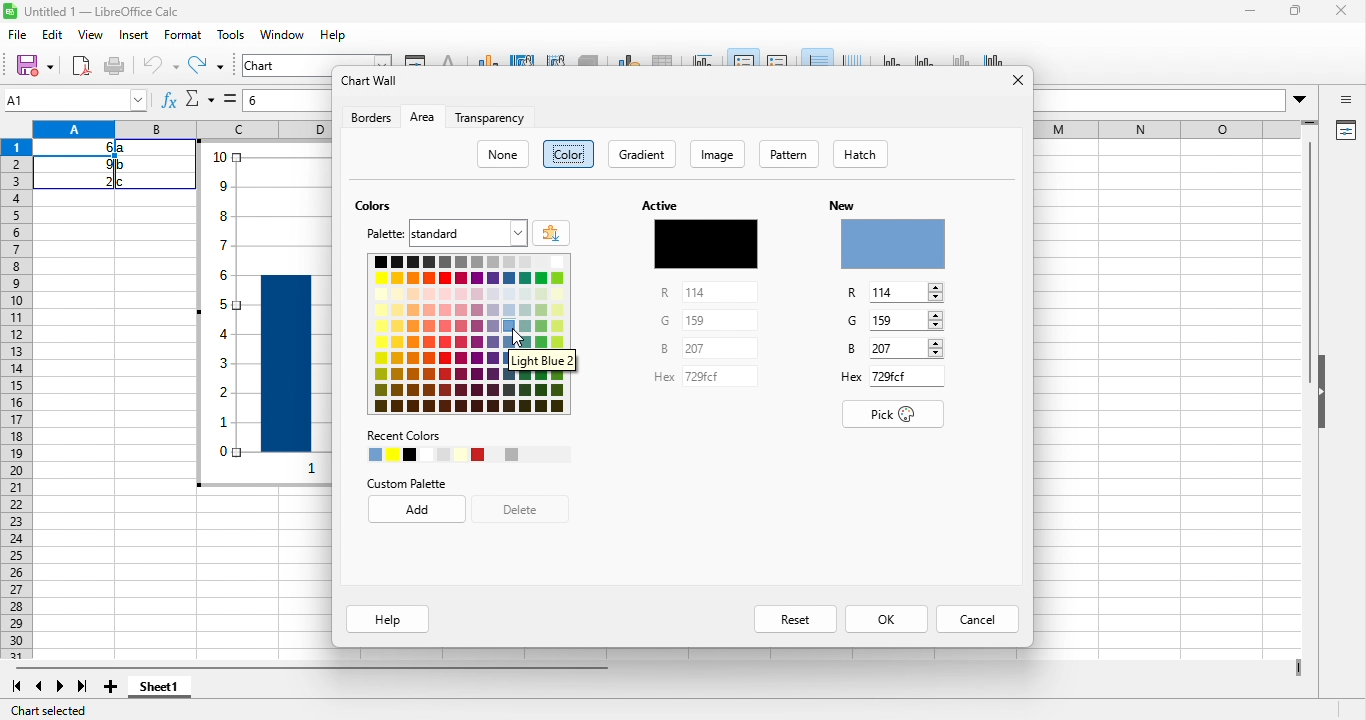  I want to click on borders, so click(370, 118).